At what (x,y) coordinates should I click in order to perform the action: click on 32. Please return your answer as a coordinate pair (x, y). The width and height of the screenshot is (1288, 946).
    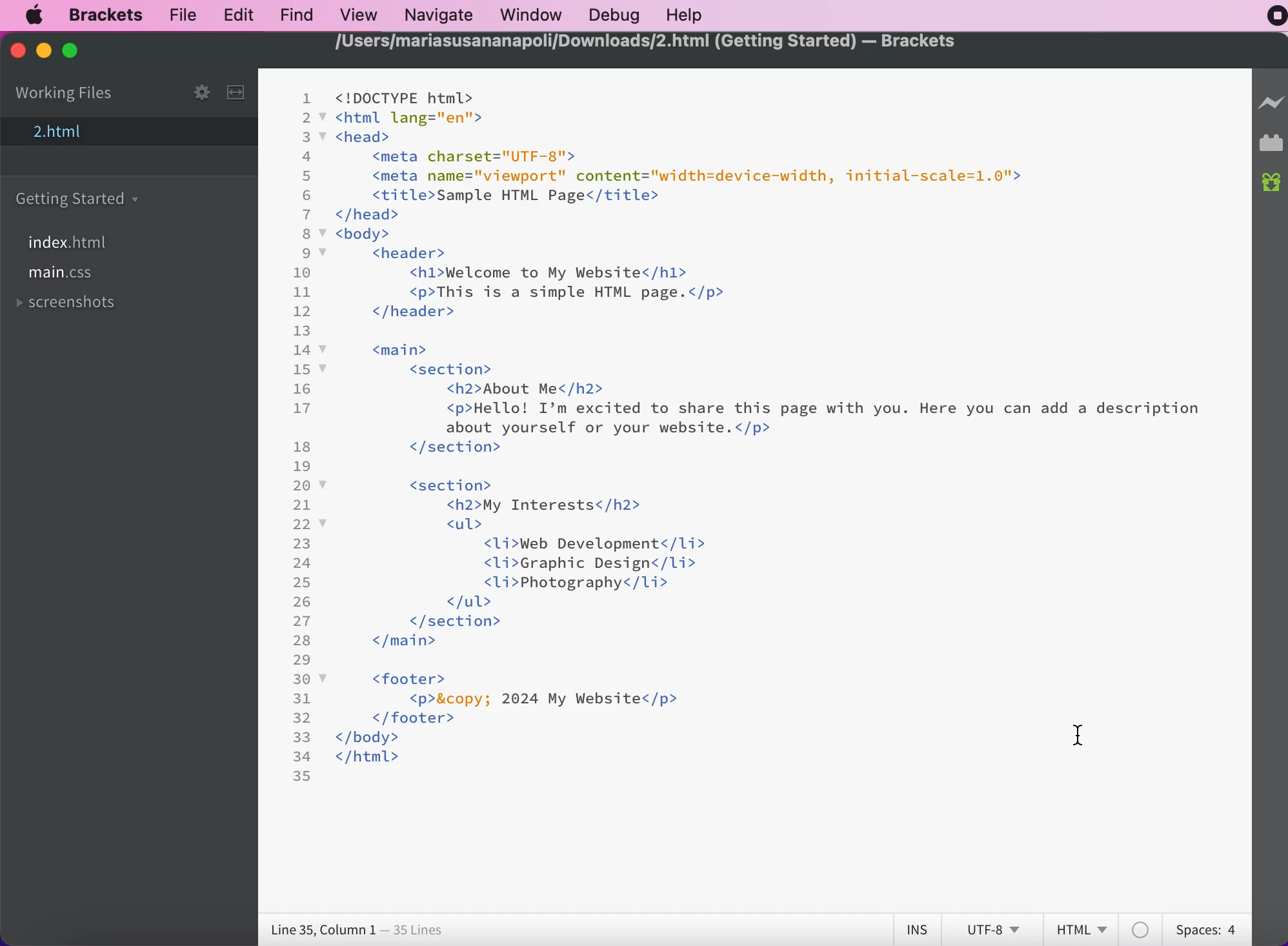
    Looking at the image, I should click on (303, 718).